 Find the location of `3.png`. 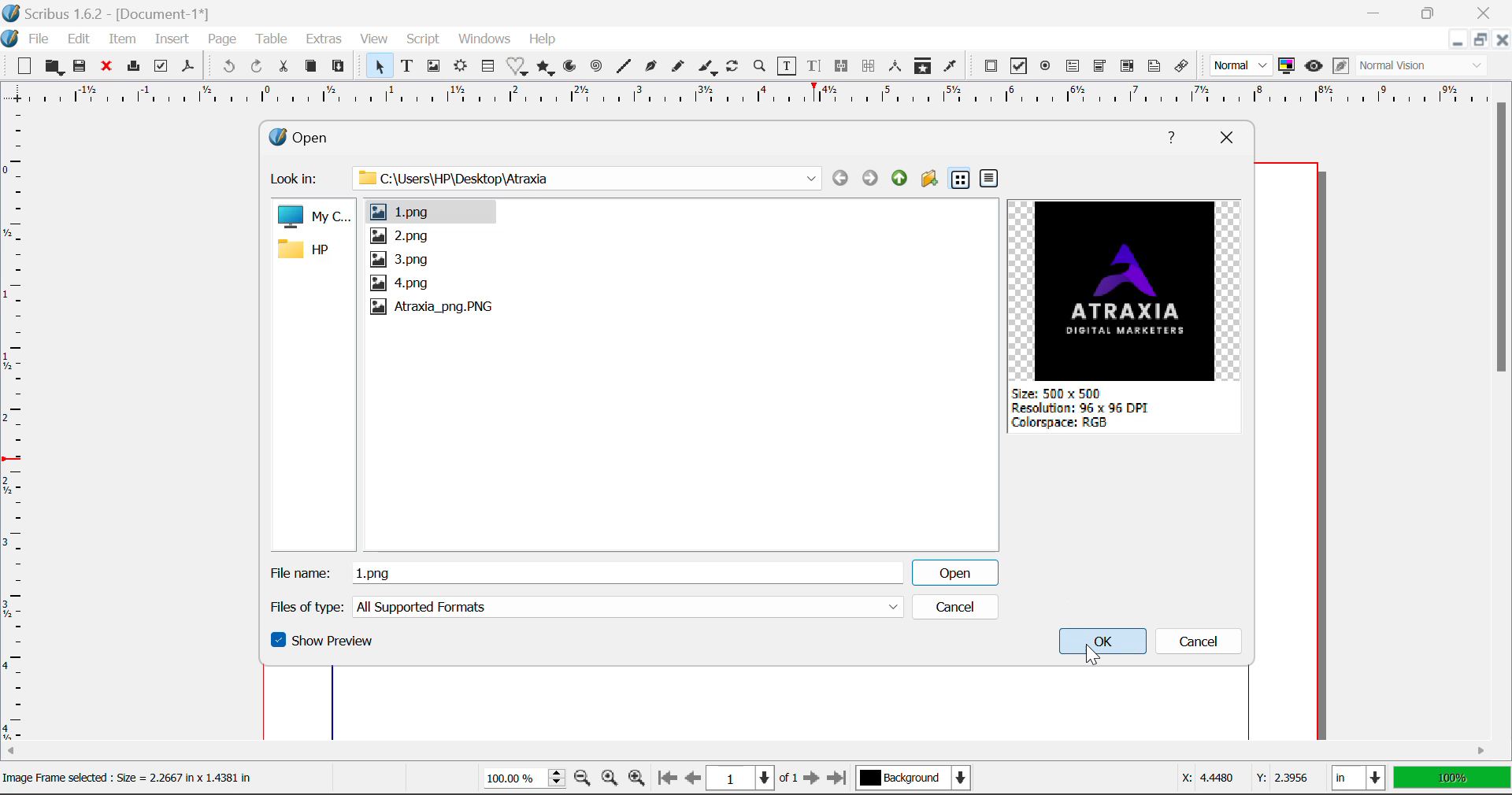

3.png is located at coordinates (402, 259).